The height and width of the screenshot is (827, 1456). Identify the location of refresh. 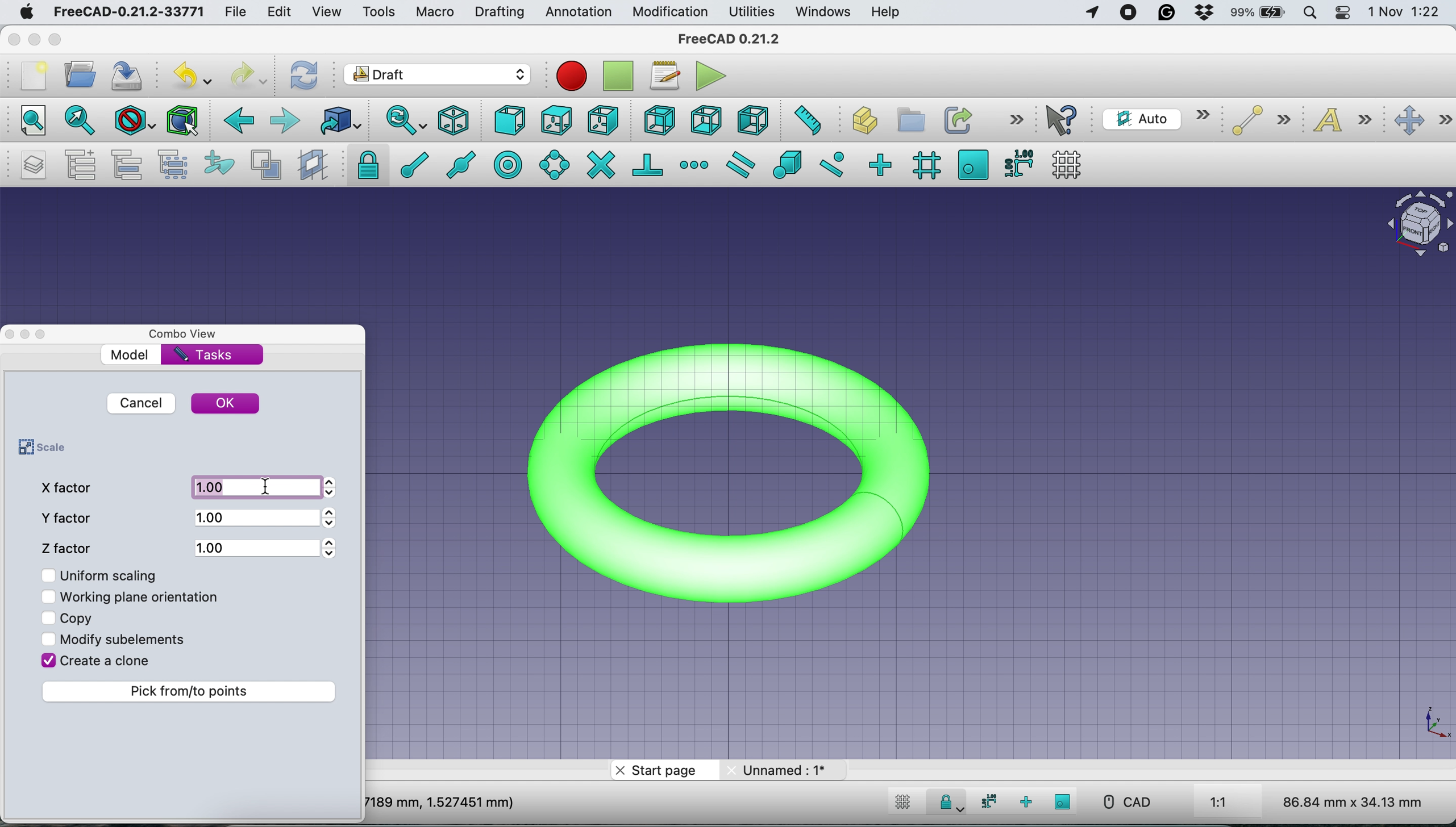
(305, 76).